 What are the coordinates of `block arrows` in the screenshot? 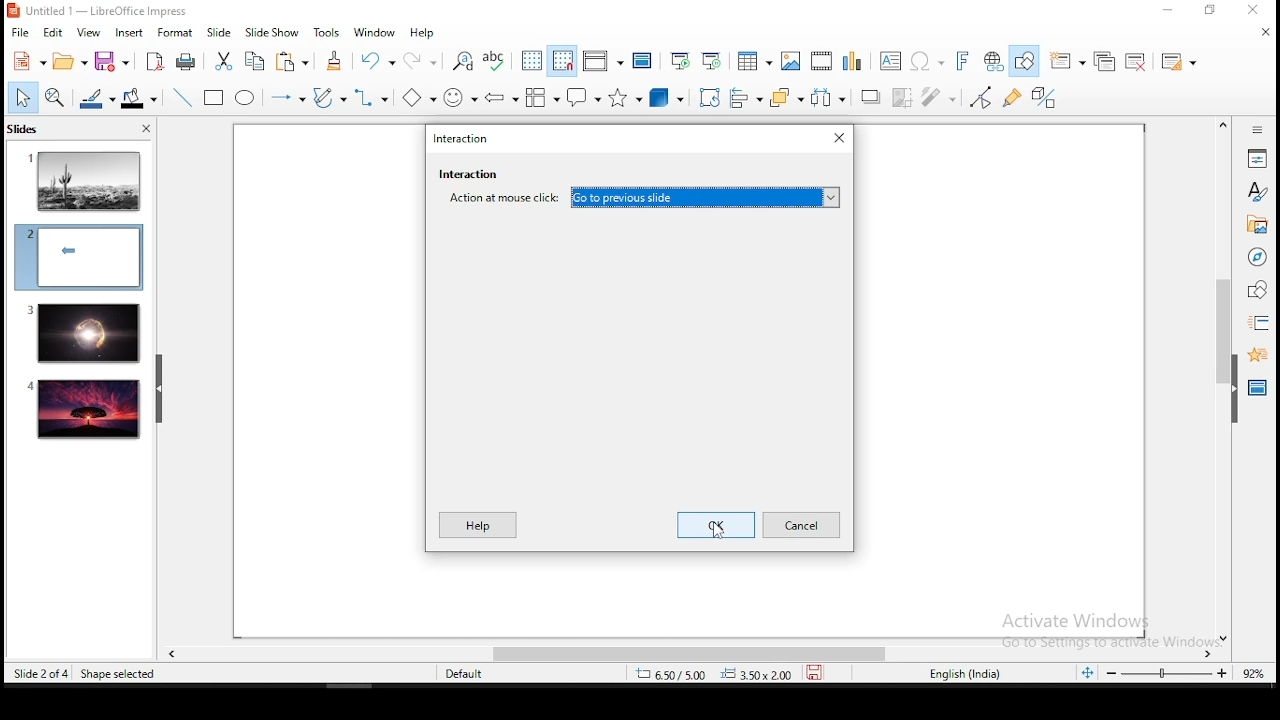 It's located at (502, 98).